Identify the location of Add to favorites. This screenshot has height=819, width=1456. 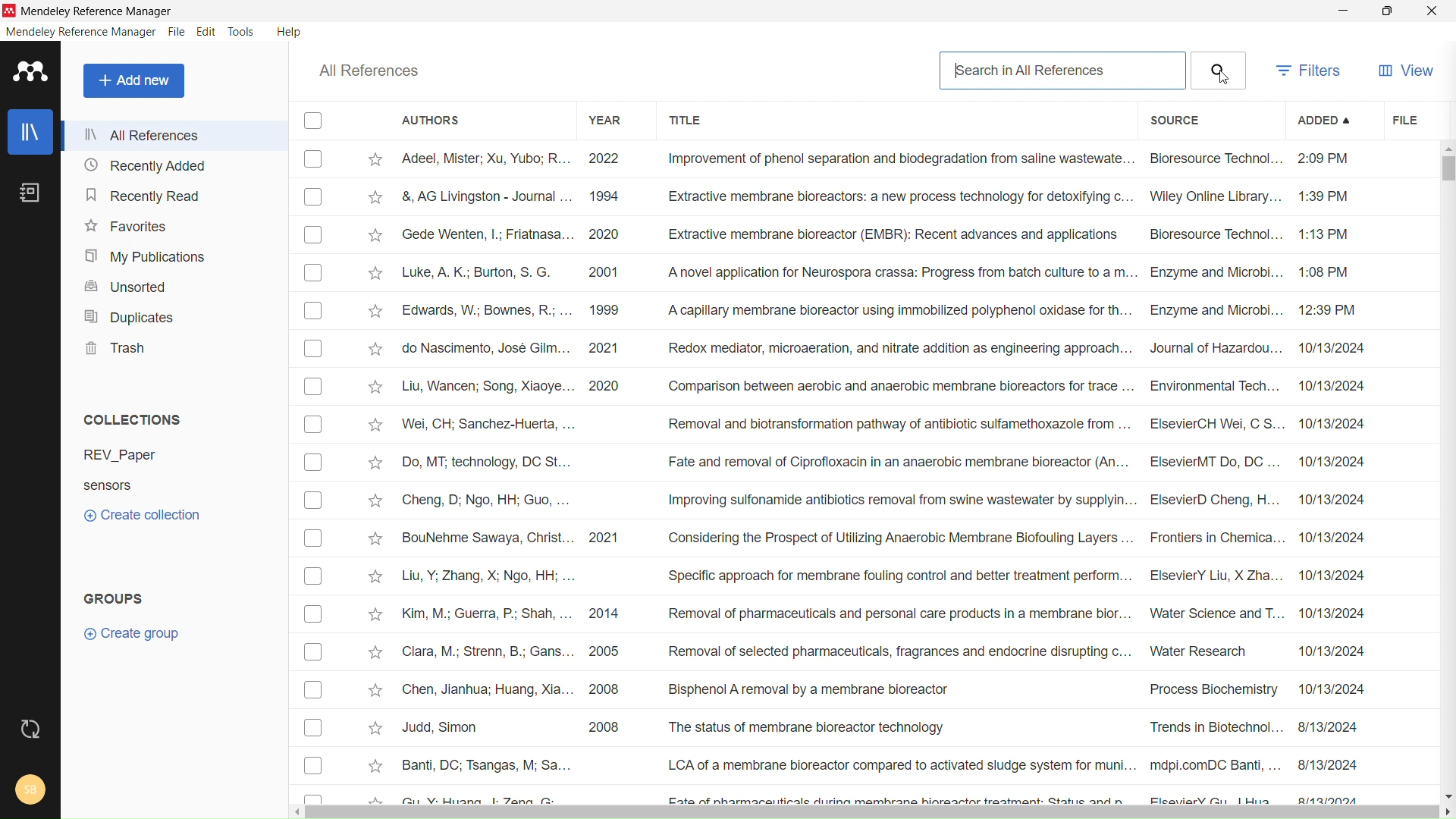
(377, 576).